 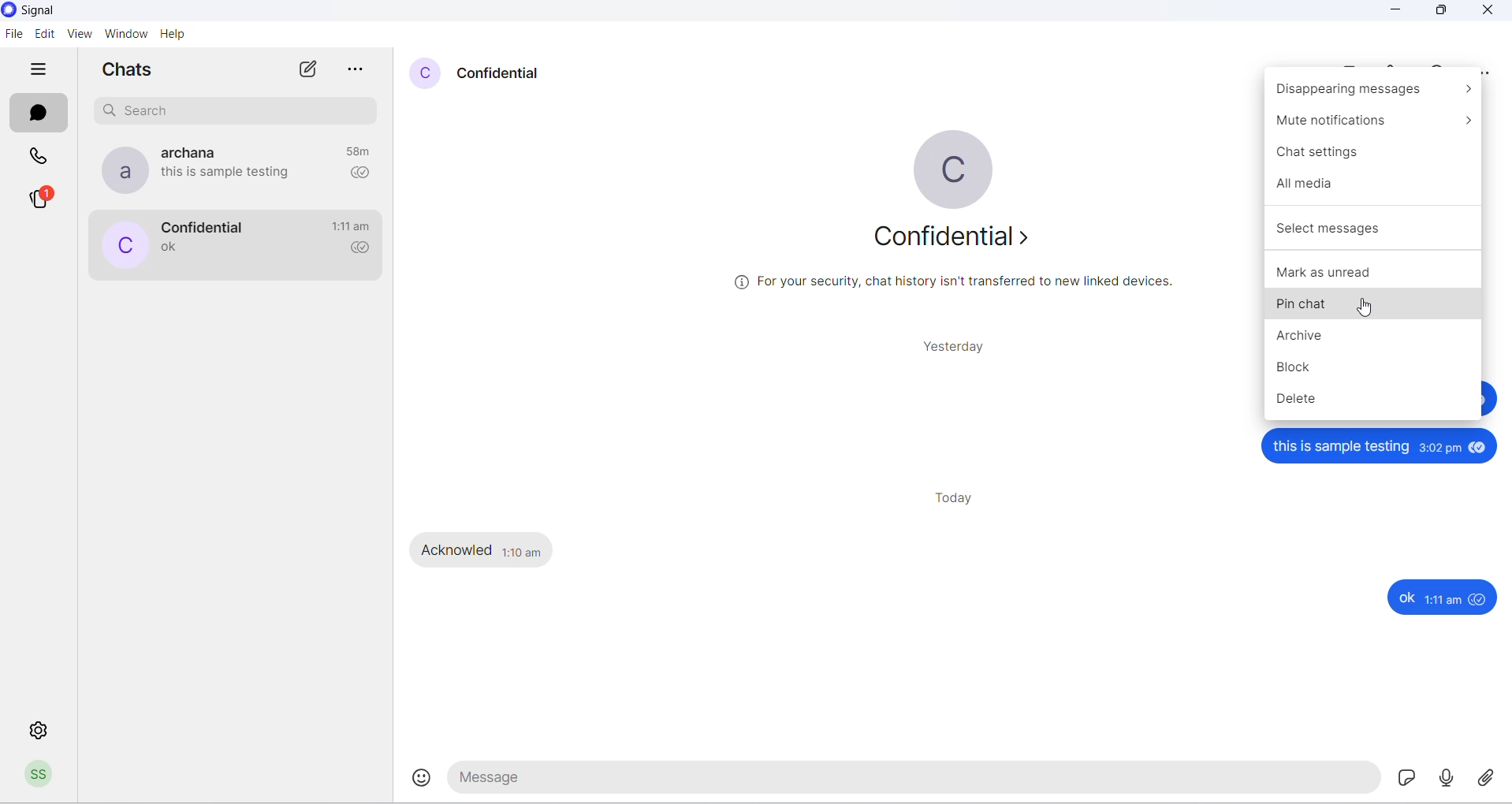 I want to click on settings, so click(x=40, y=730).